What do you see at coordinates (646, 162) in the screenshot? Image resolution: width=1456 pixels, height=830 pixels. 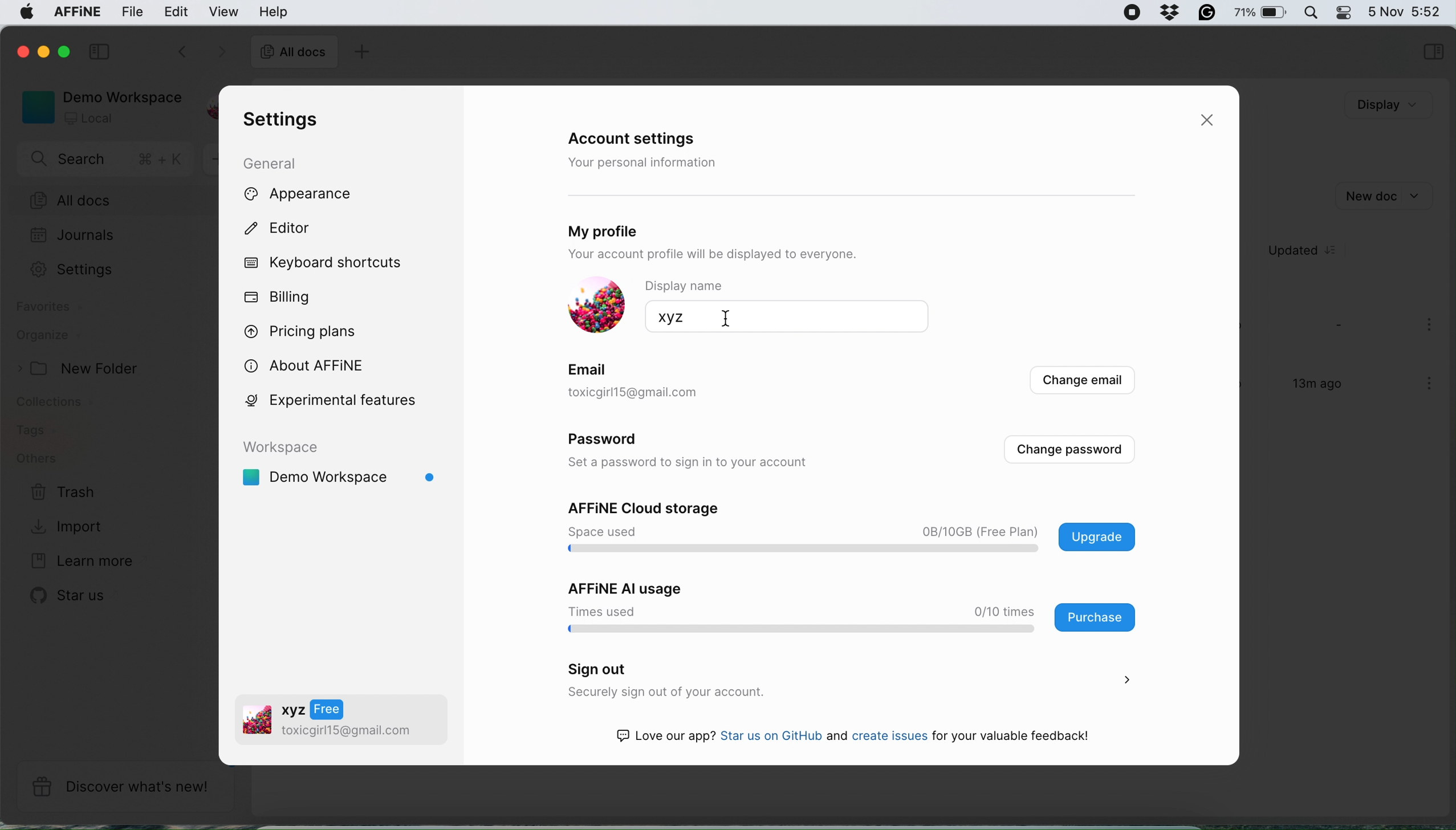 I see `your personal information` at bounding box center [646, 162].